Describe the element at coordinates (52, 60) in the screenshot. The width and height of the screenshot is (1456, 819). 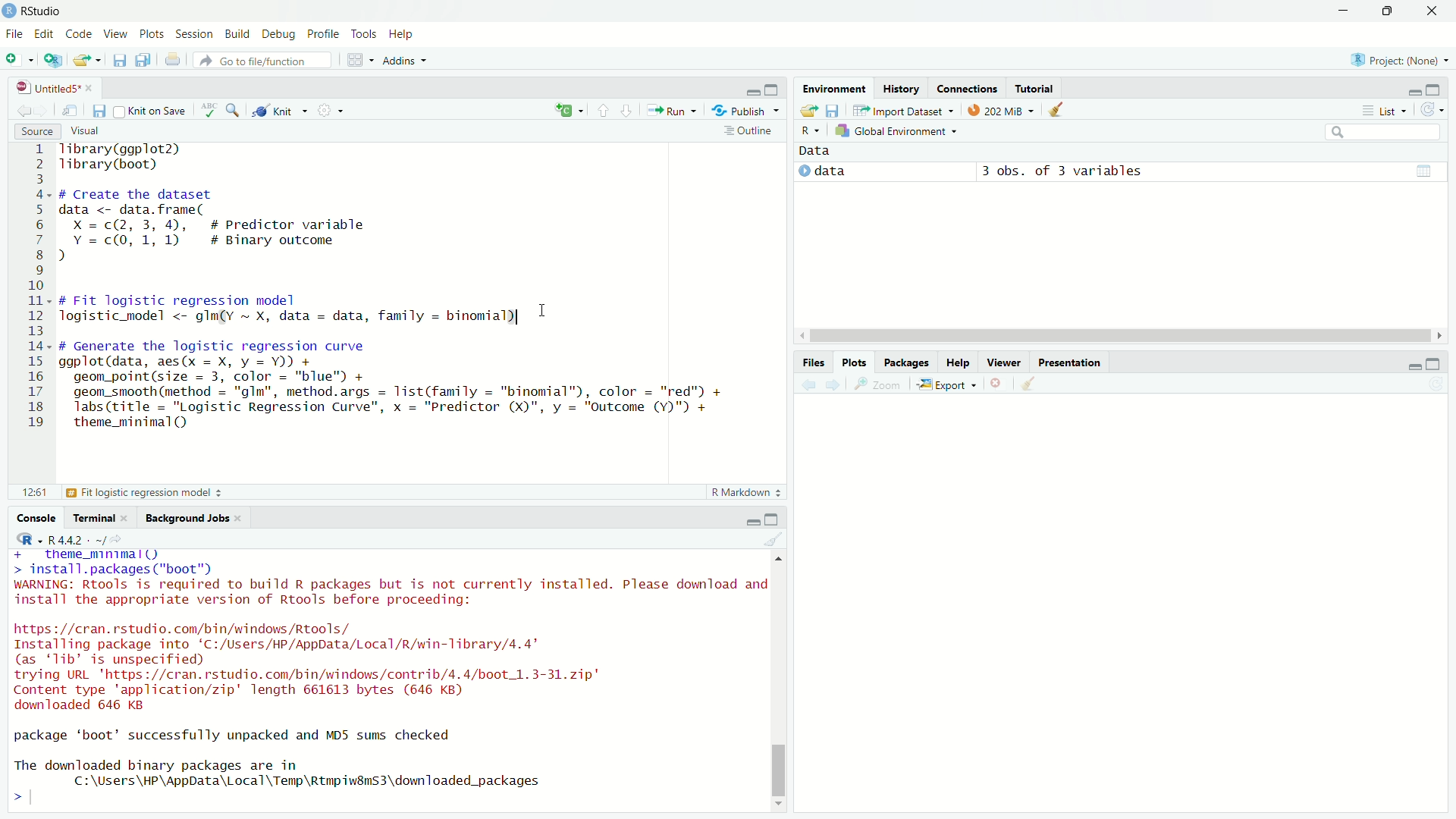
I see `Create a project` at that location.